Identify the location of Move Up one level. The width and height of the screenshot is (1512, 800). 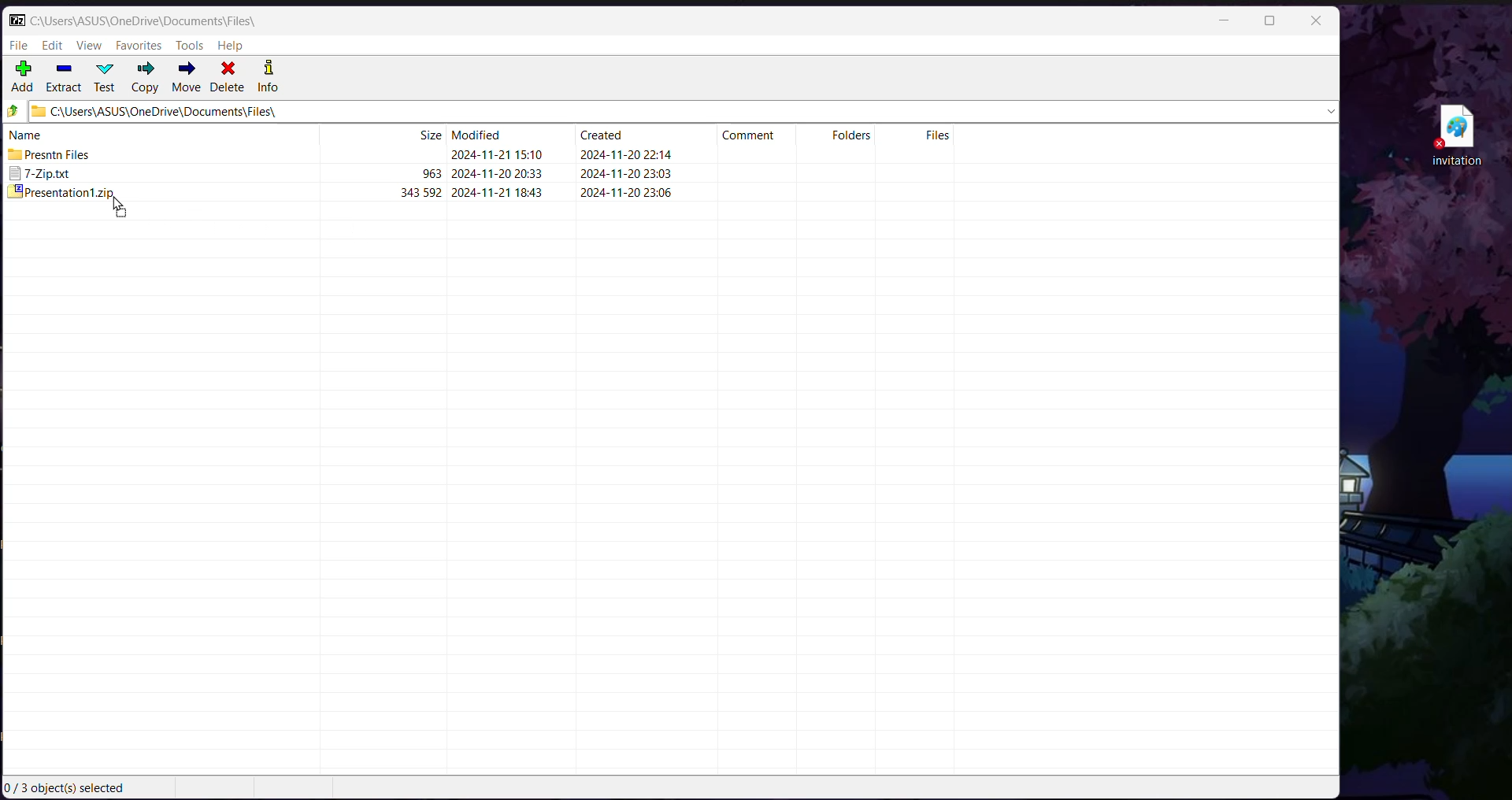
(13, 111).